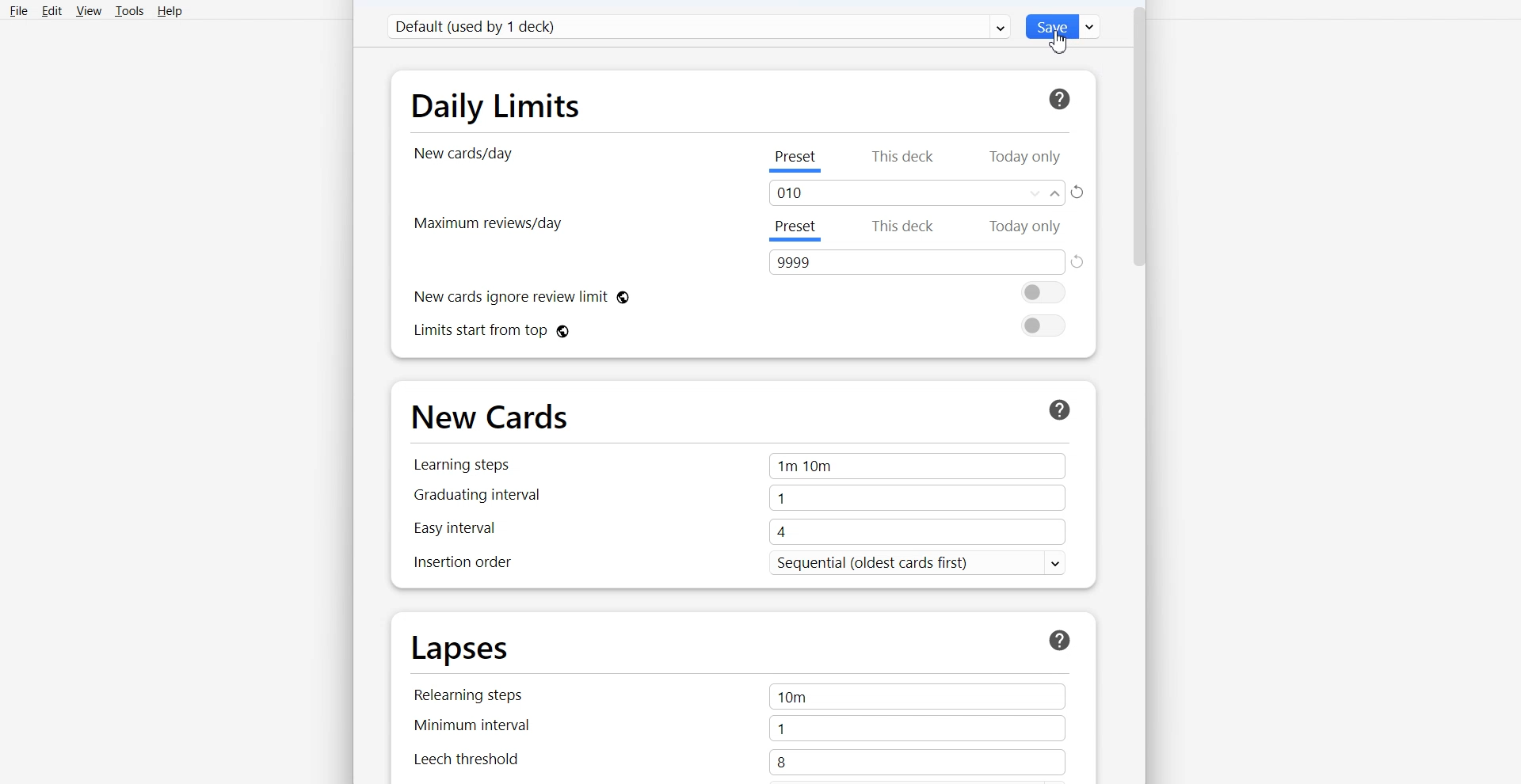  What do you see at coordinates (128, 12) in the screenshot?
I see `Tools` at bounding box center [128, 12].